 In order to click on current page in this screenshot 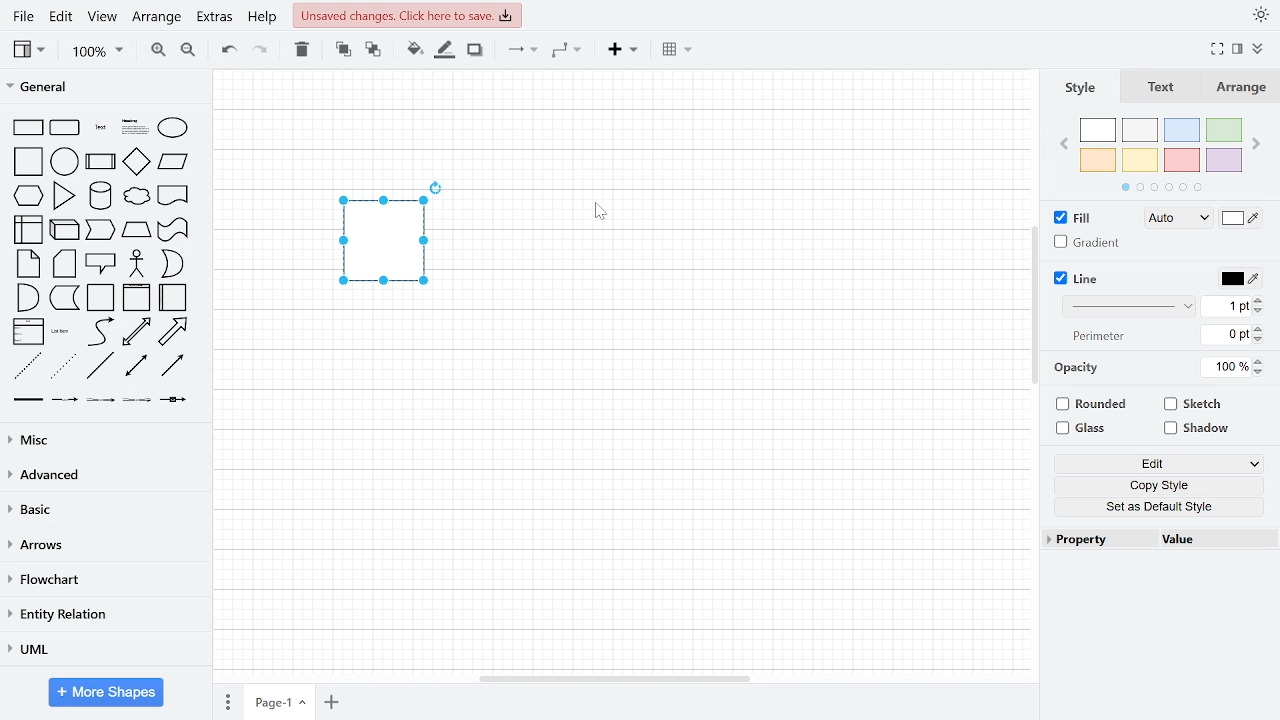, I will do `click(277, 699)`.